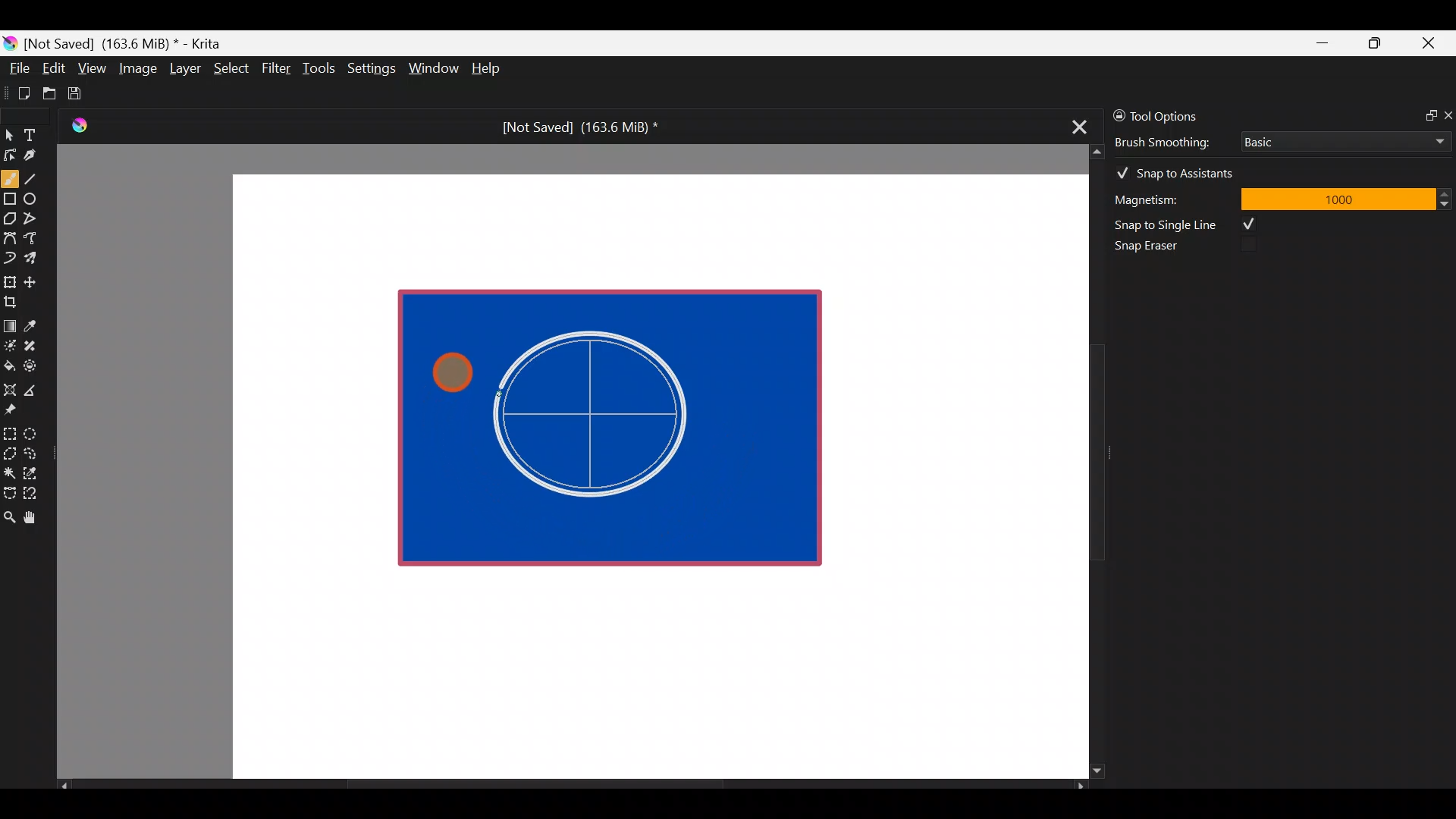  What do you see at coordinates (33, 452) in the screenshot?
I see `Freehand selection tool` at bounding box center [33, 452].